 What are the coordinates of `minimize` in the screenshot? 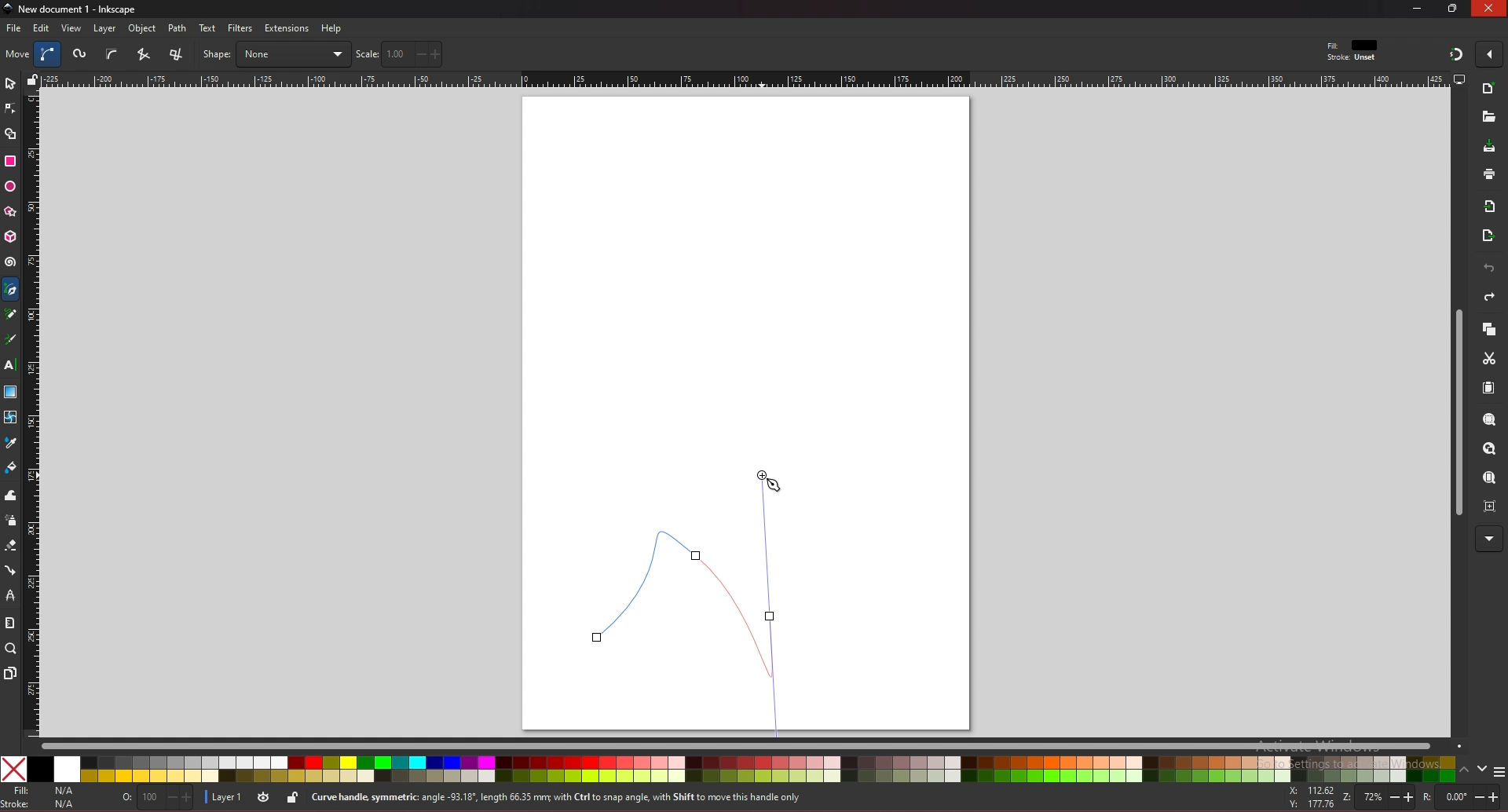 It's located at (1418, 8).